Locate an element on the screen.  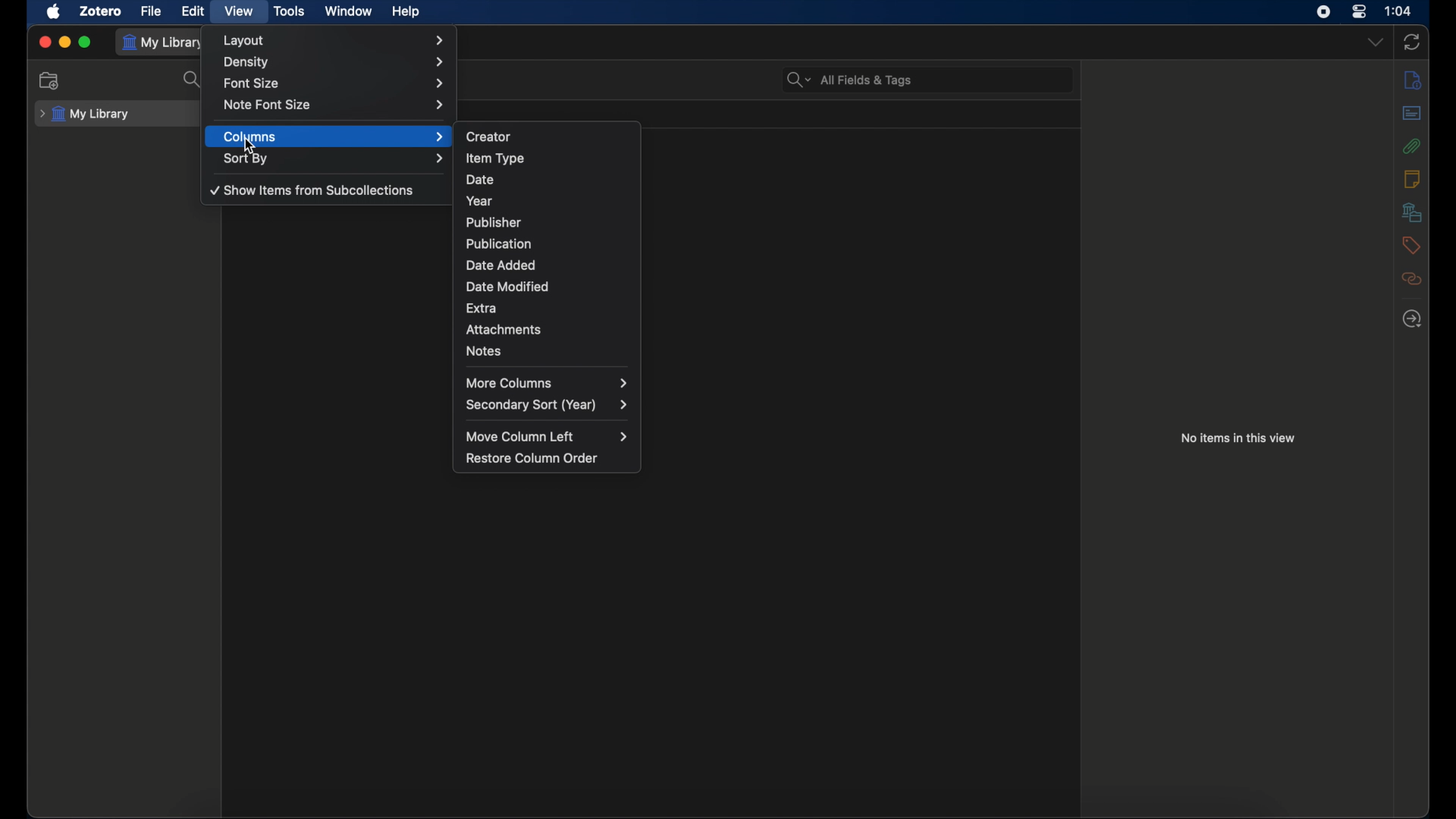
sort by is located at coordinates (333, 158).